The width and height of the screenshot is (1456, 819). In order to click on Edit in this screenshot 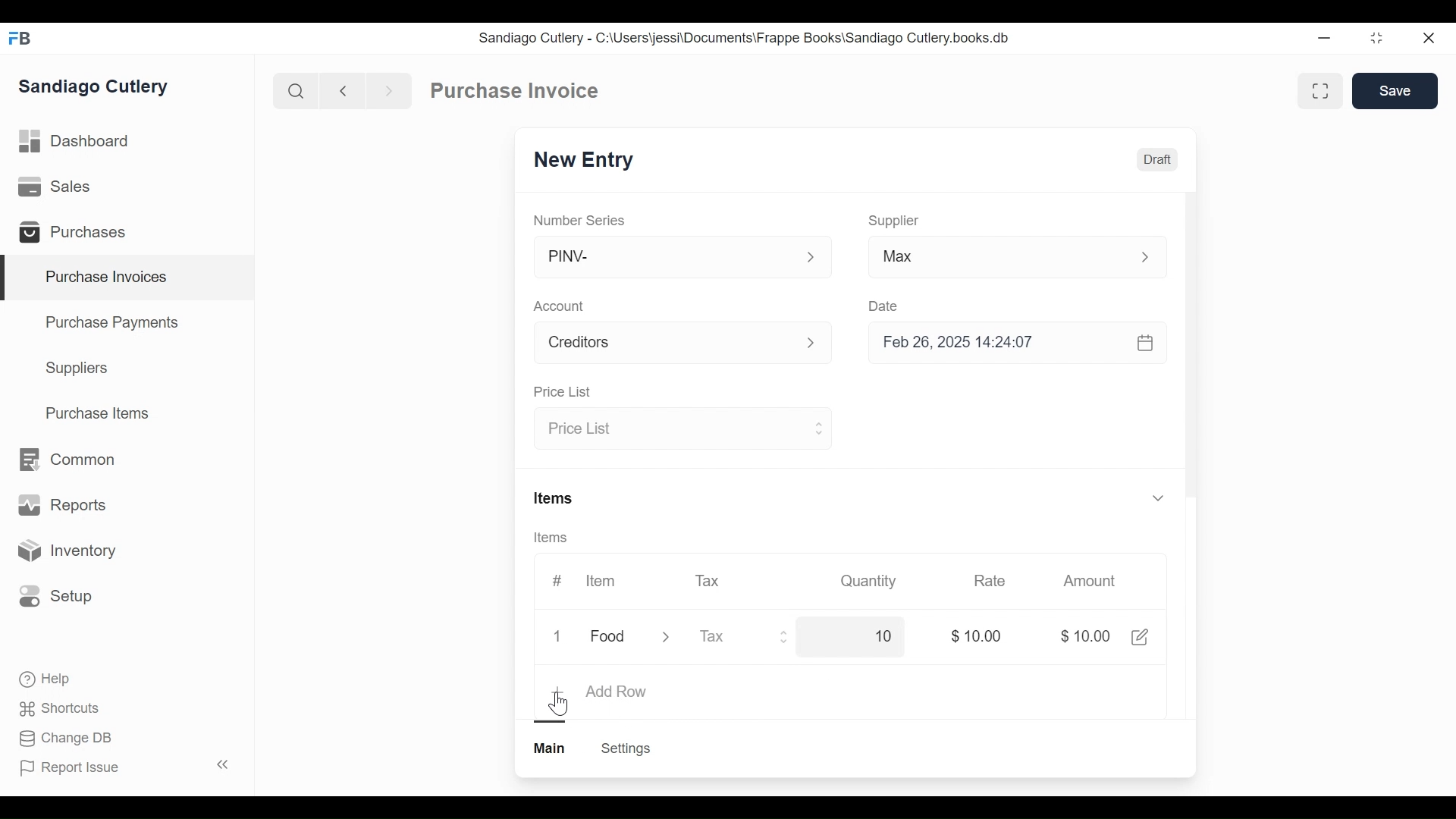, I will do `click(1139, 636)`.